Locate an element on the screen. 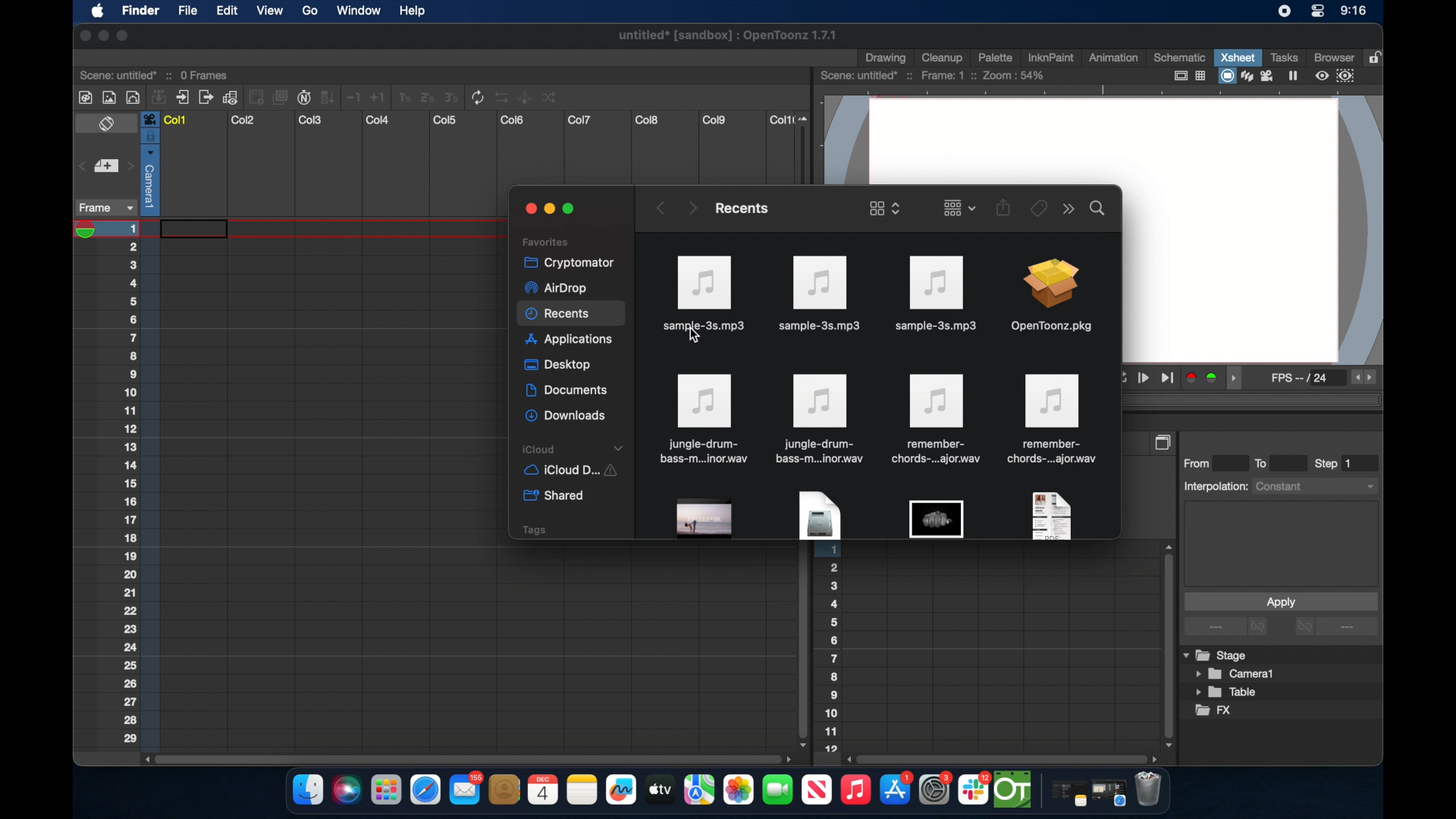 Image resolution: width=1456 pixels, height=819 pixels. step is located at coordinates (1335, 463).